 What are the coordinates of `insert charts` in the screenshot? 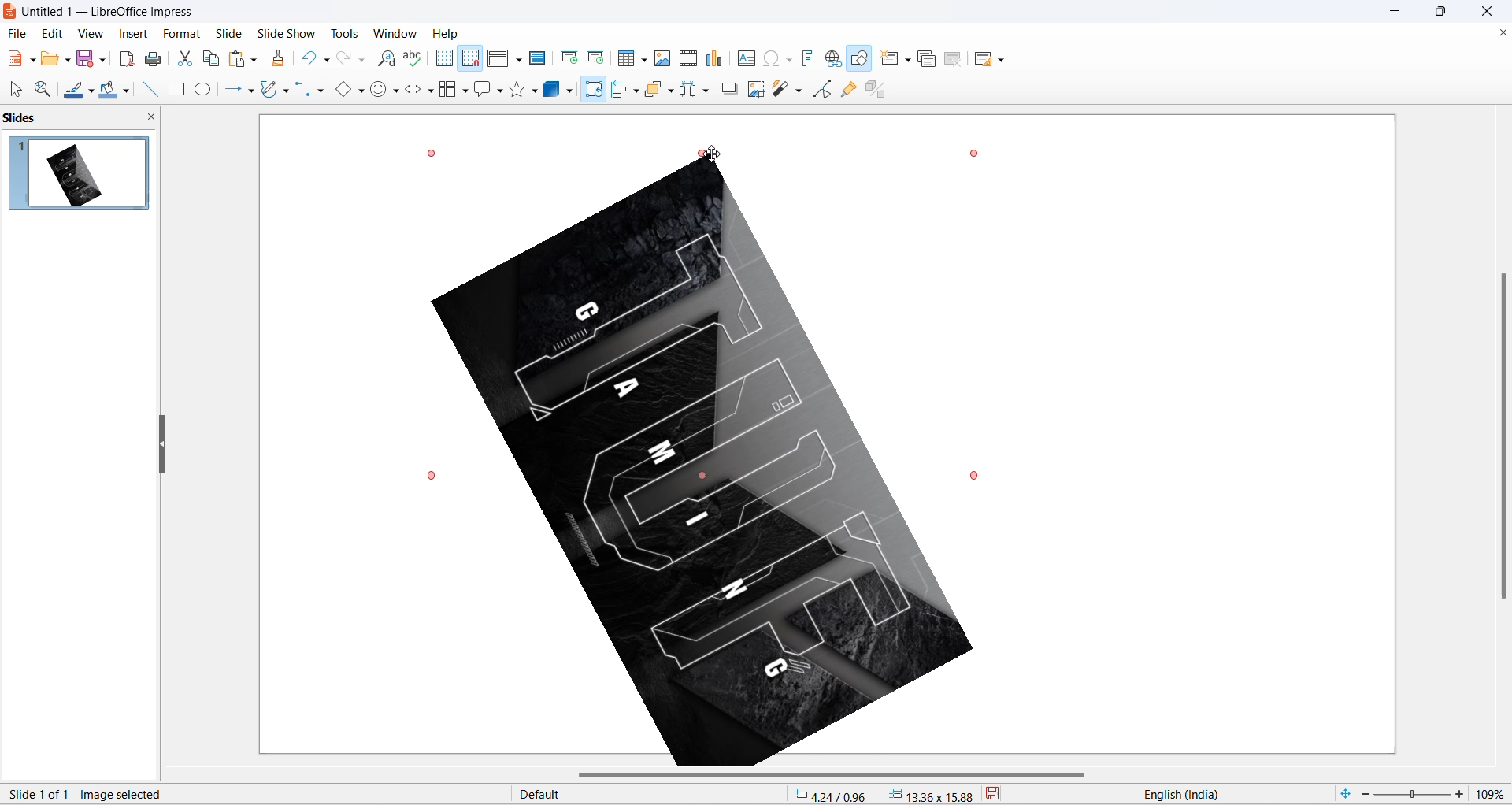 It's located at (715, 59).